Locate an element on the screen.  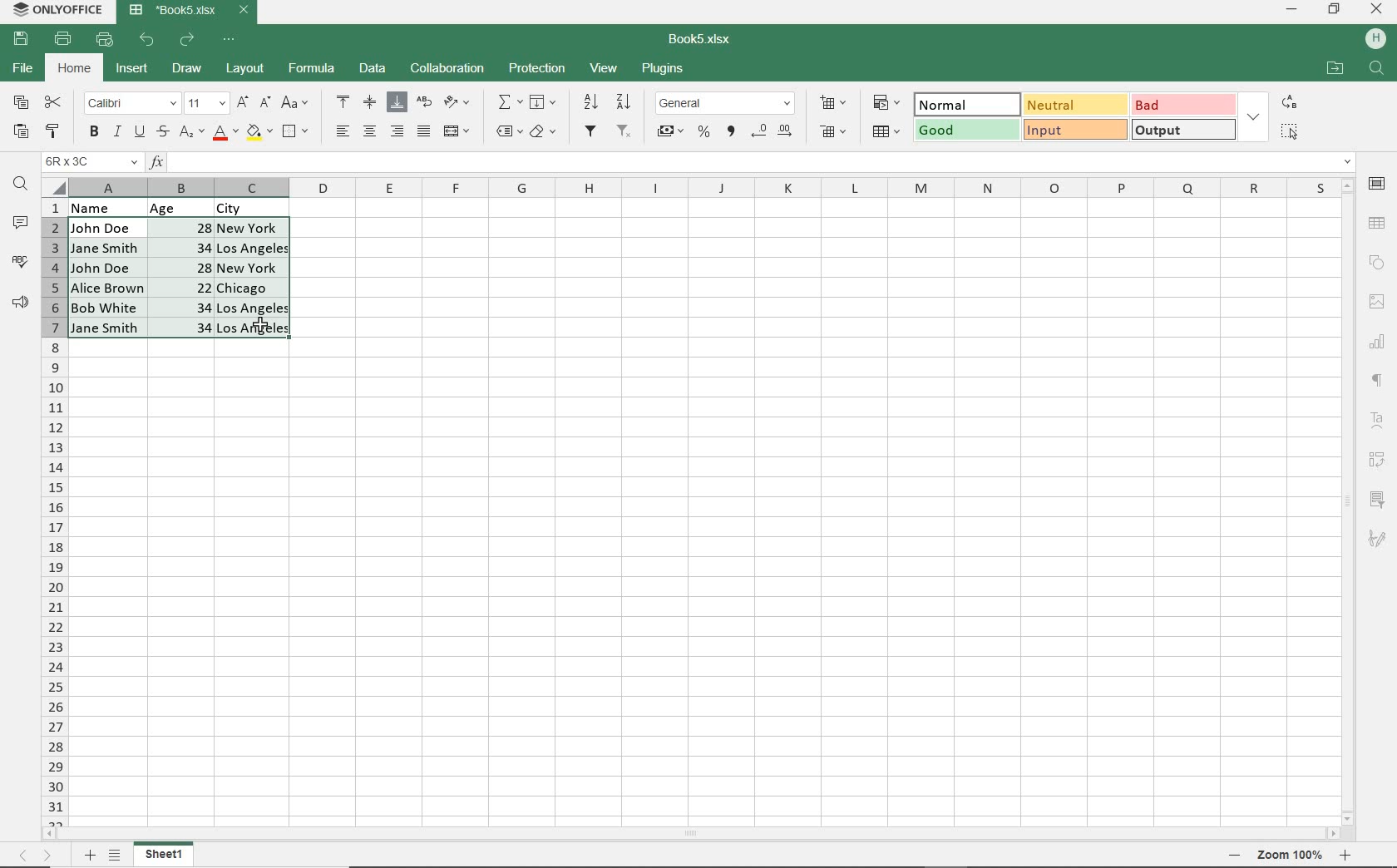
LIST SHEETS is located at coordinates (118, 856).